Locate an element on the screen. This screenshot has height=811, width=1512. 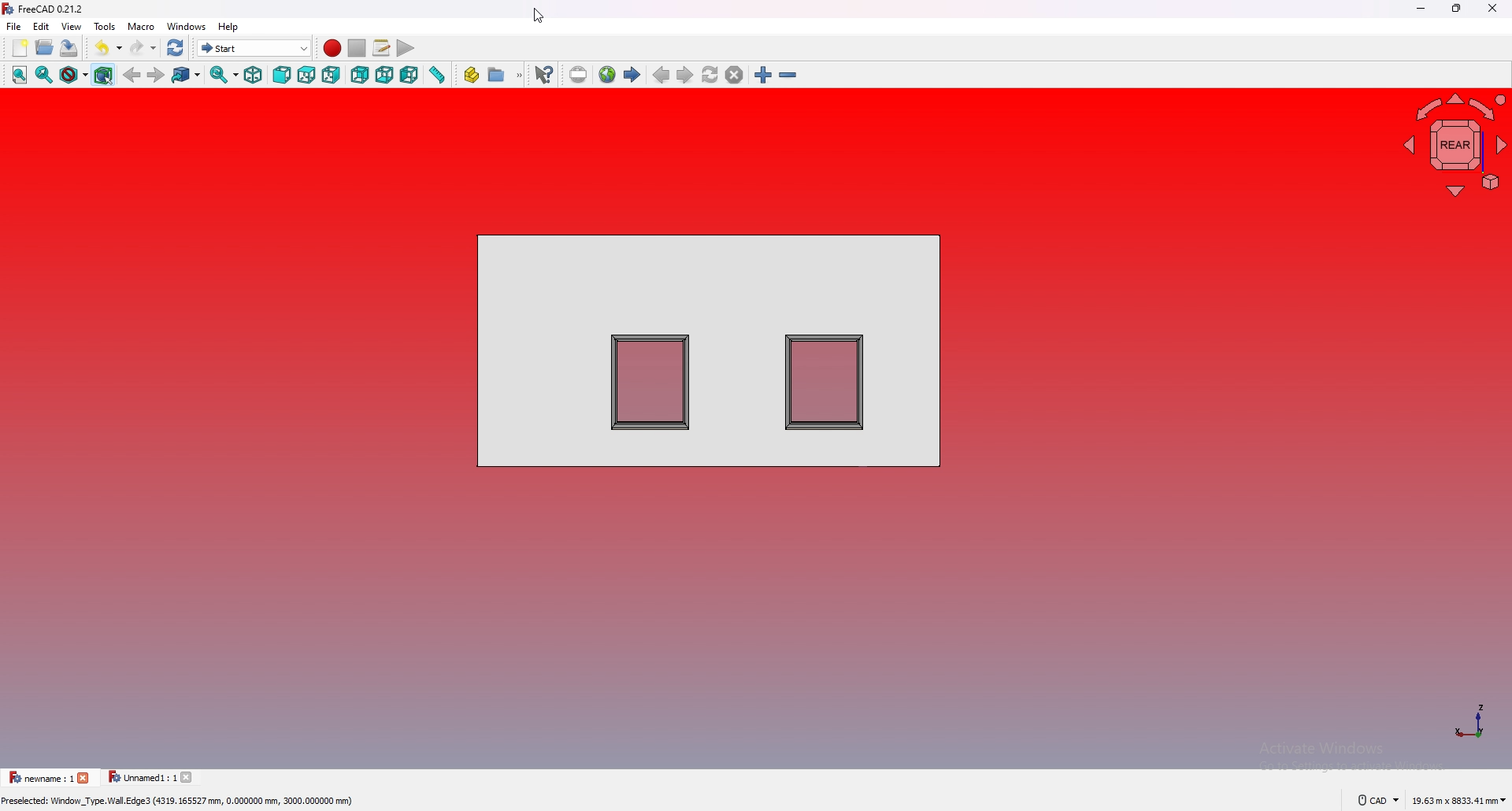
open is located at coordinates (45, 46).